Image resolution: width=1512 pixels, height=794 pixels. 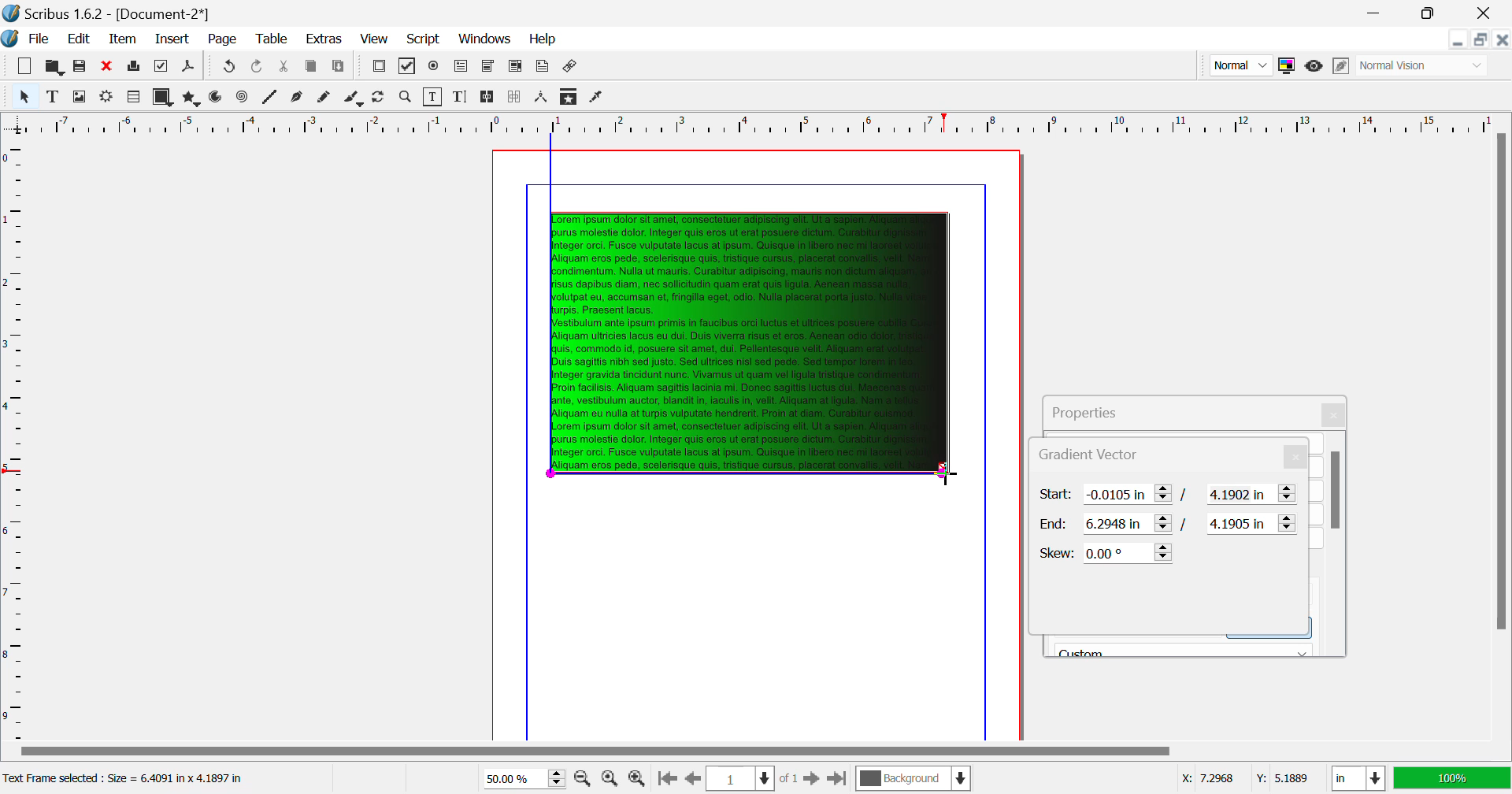 What do you see at coordinates (1043, 455) in the screenshot?
I see `Gradient Vector Tab Heading` at bounding box center [1043, 455].